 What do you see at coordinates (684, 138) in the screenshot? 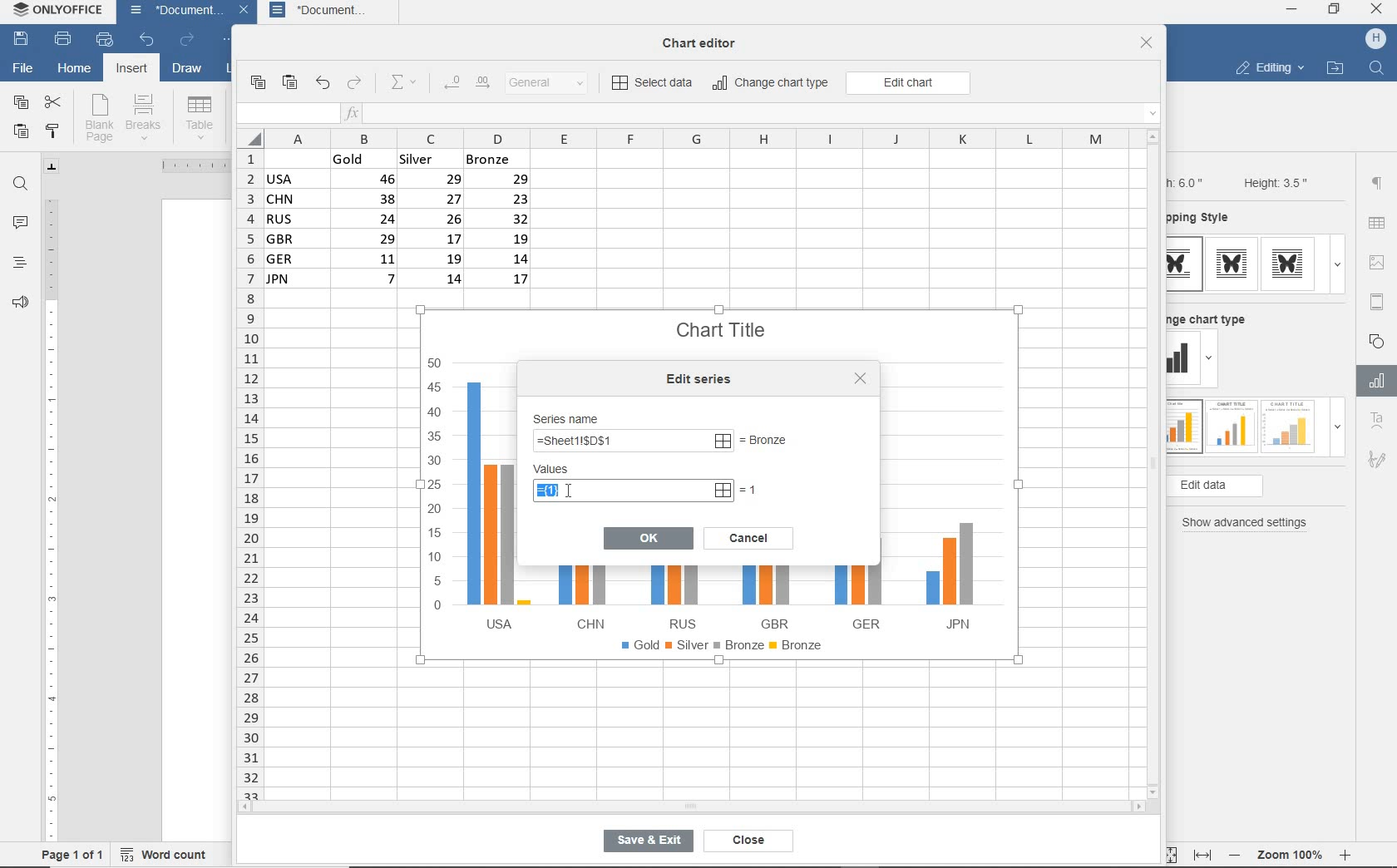
I see `columns` at bounding box center [684, 138].